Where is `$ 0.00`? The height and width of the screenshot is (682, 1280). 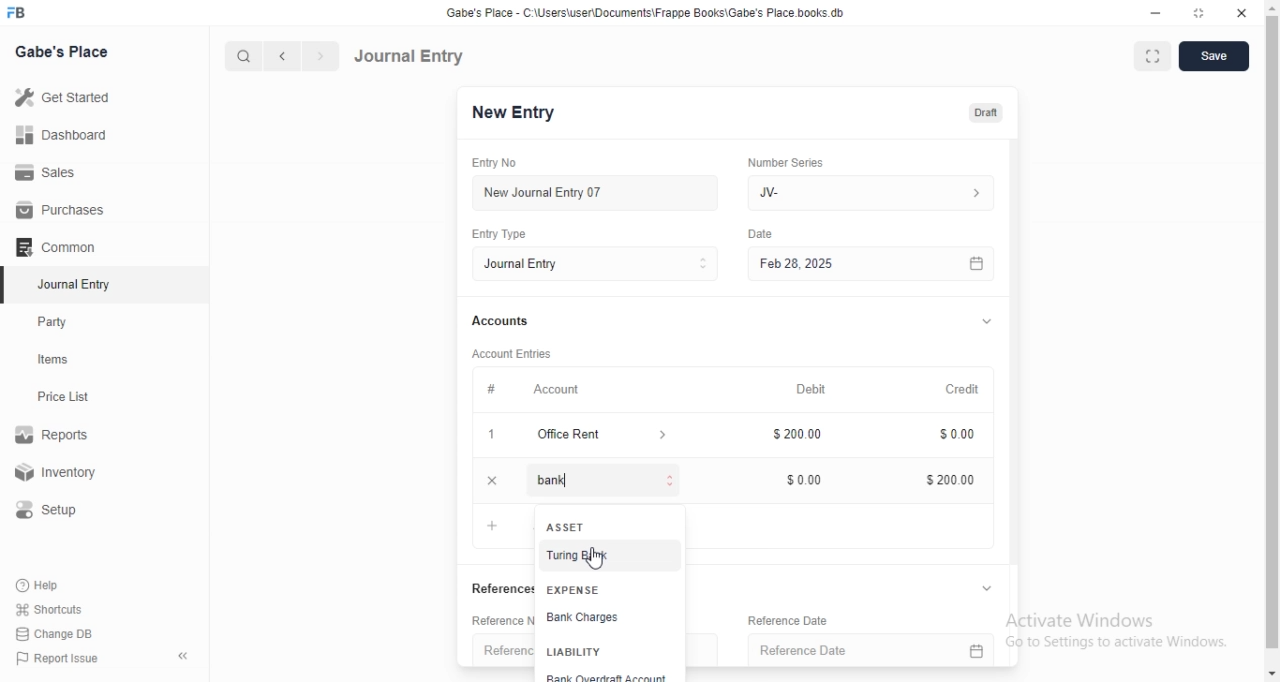 $ 0.00 is located at coordinates (960, 436).